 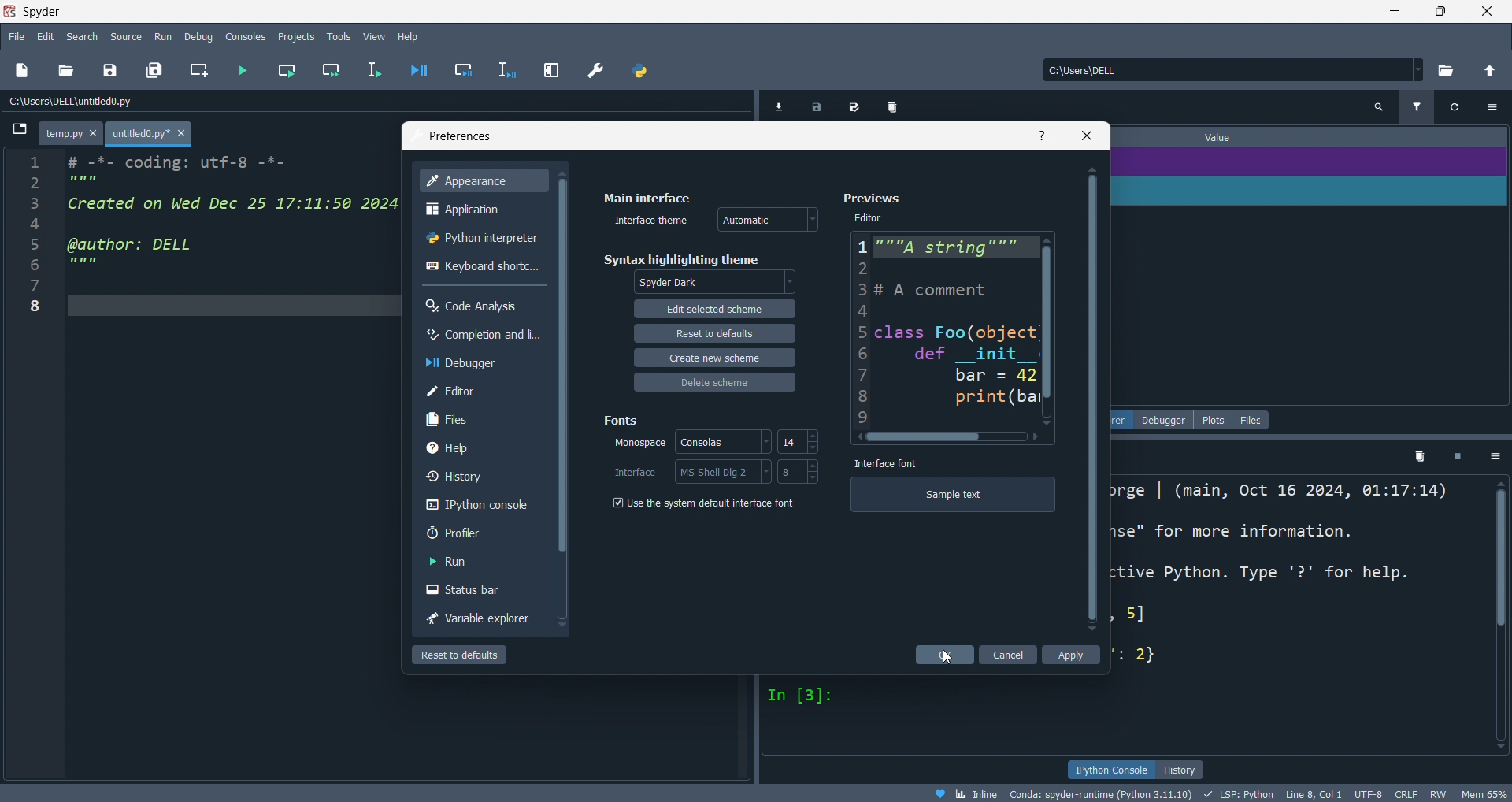 What do you see at coordinates (484, 589) in the screenshot?
I see `status bar` at bounding box center [484, 589].